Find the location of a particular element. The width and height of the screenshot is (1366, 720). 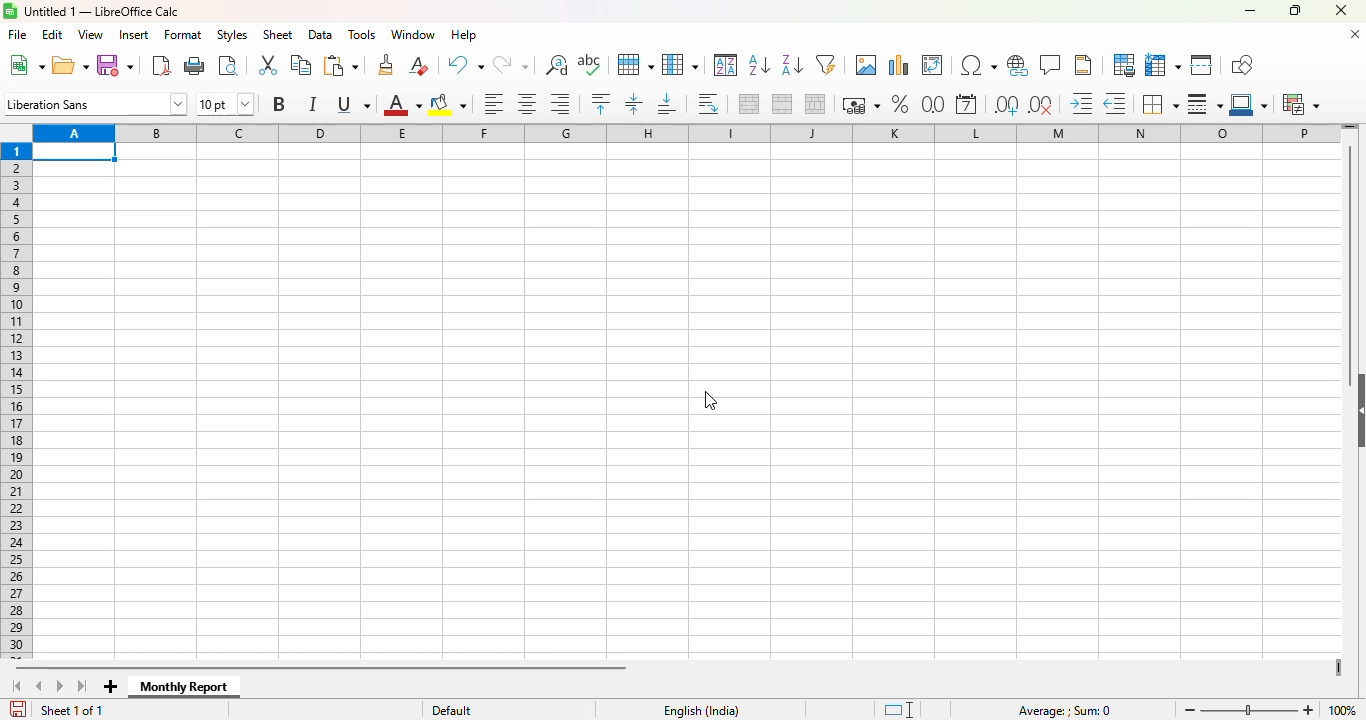

insert or edit pivot table is located at coordinates (932, 64).